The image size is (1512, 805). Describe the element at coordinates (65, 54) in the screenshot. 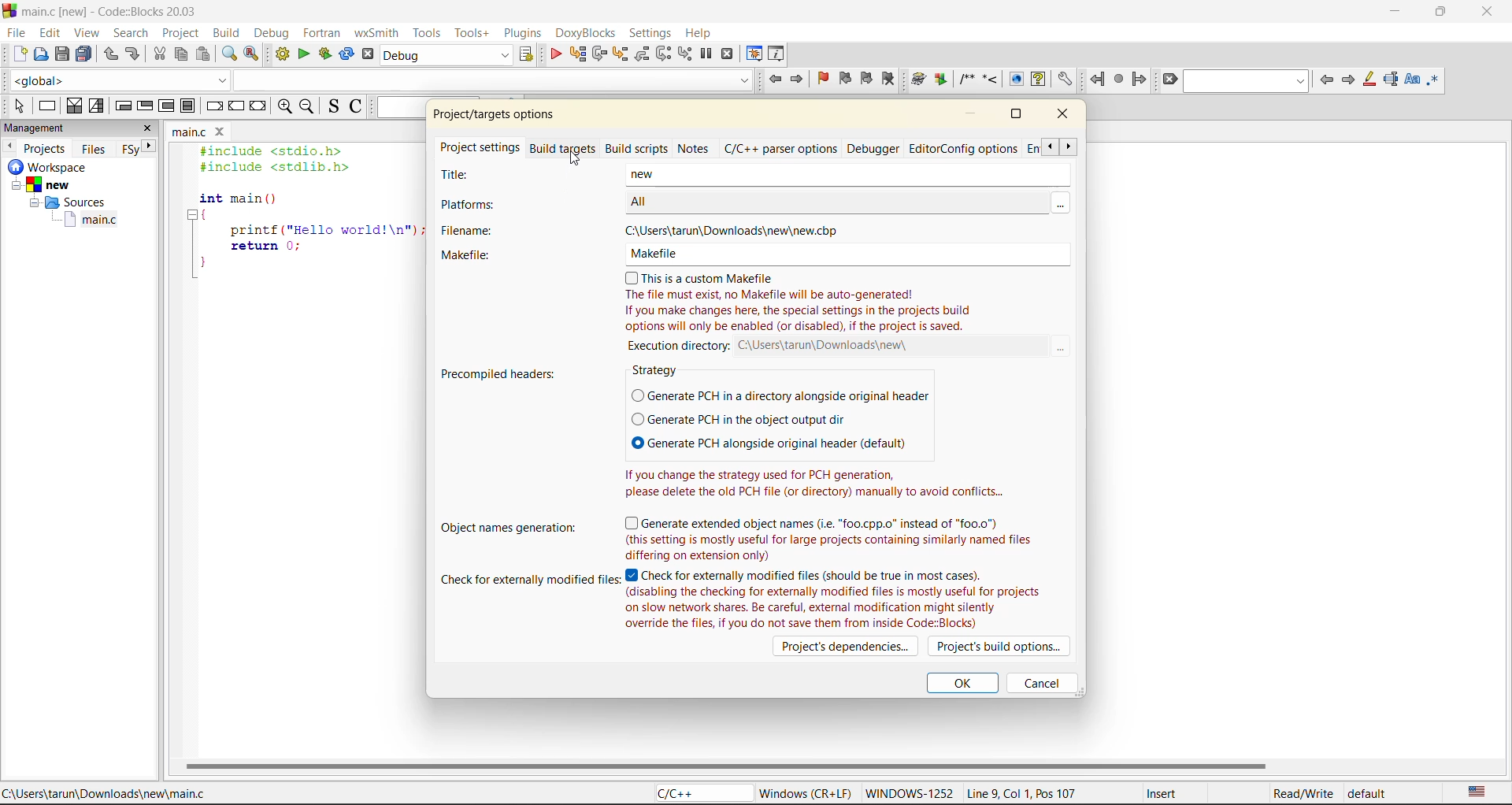

I see `save` at that location.